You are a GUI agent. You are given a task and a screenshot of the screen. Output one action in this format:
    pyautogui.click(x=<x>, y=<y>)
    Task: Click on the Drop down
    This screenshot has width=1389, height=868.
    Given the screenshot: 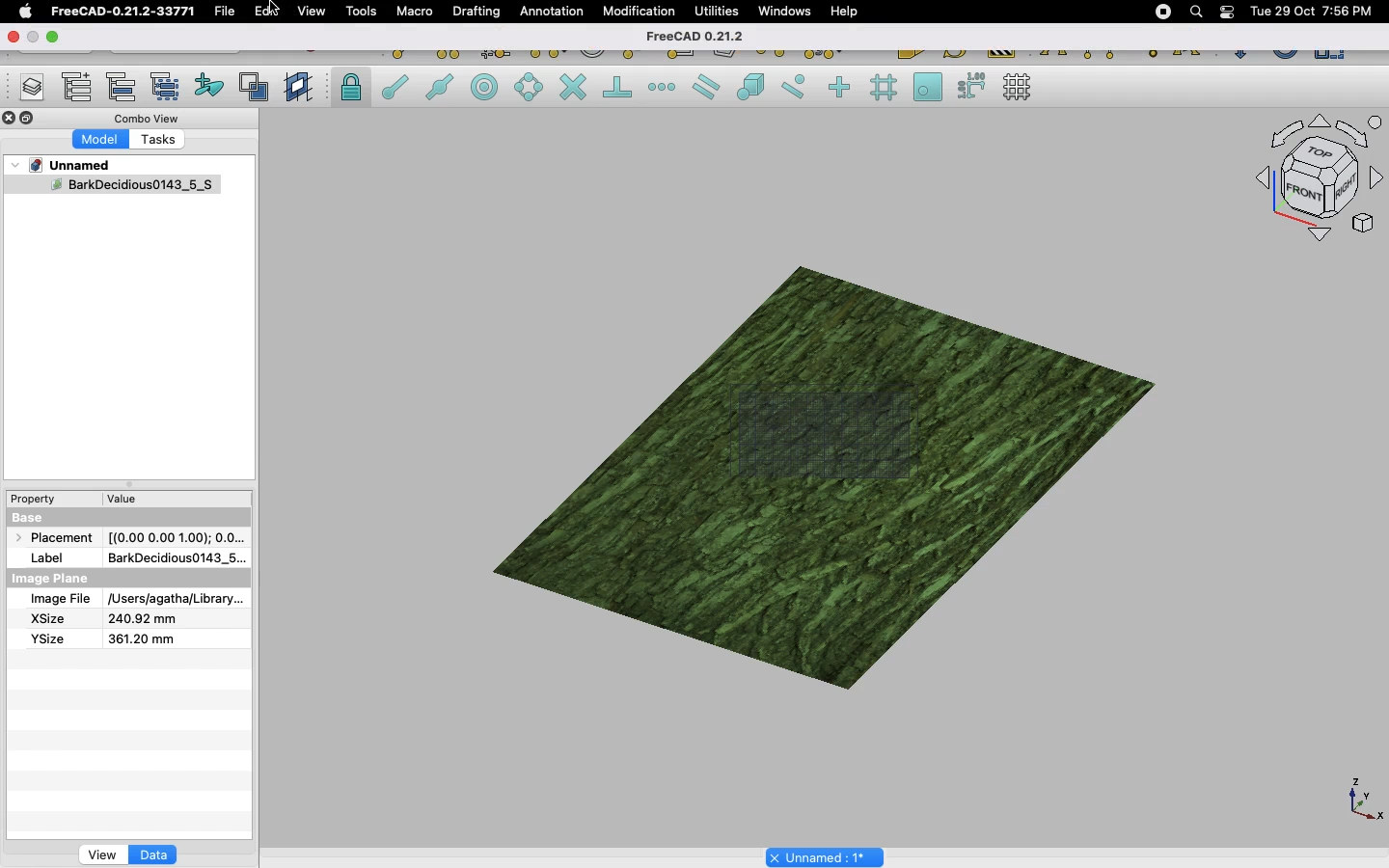 What is the action you would take?
    pyautogui.click(x=16, y=165)
    